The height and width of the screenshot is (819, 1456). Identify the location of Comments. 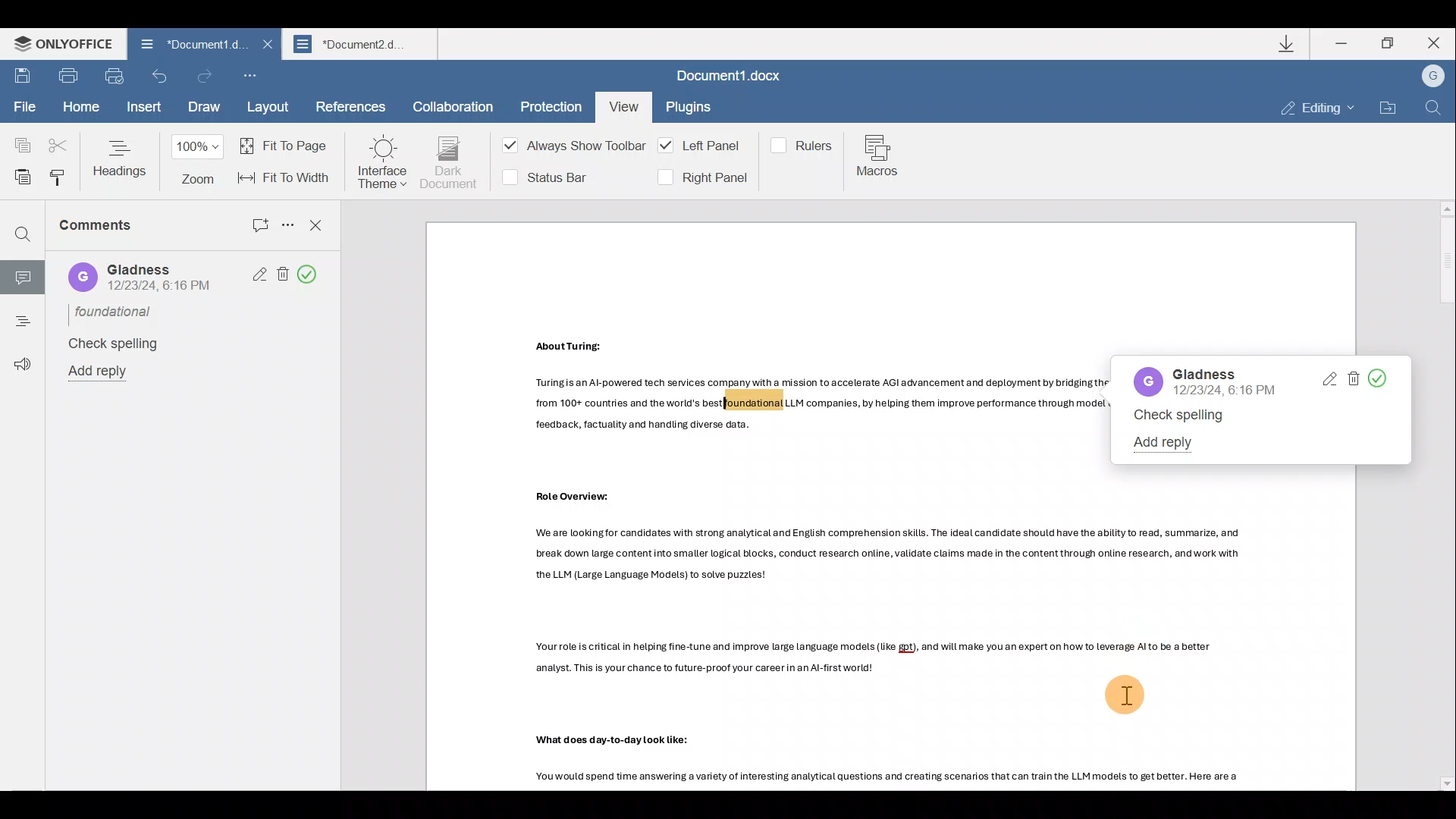
(115, 231).